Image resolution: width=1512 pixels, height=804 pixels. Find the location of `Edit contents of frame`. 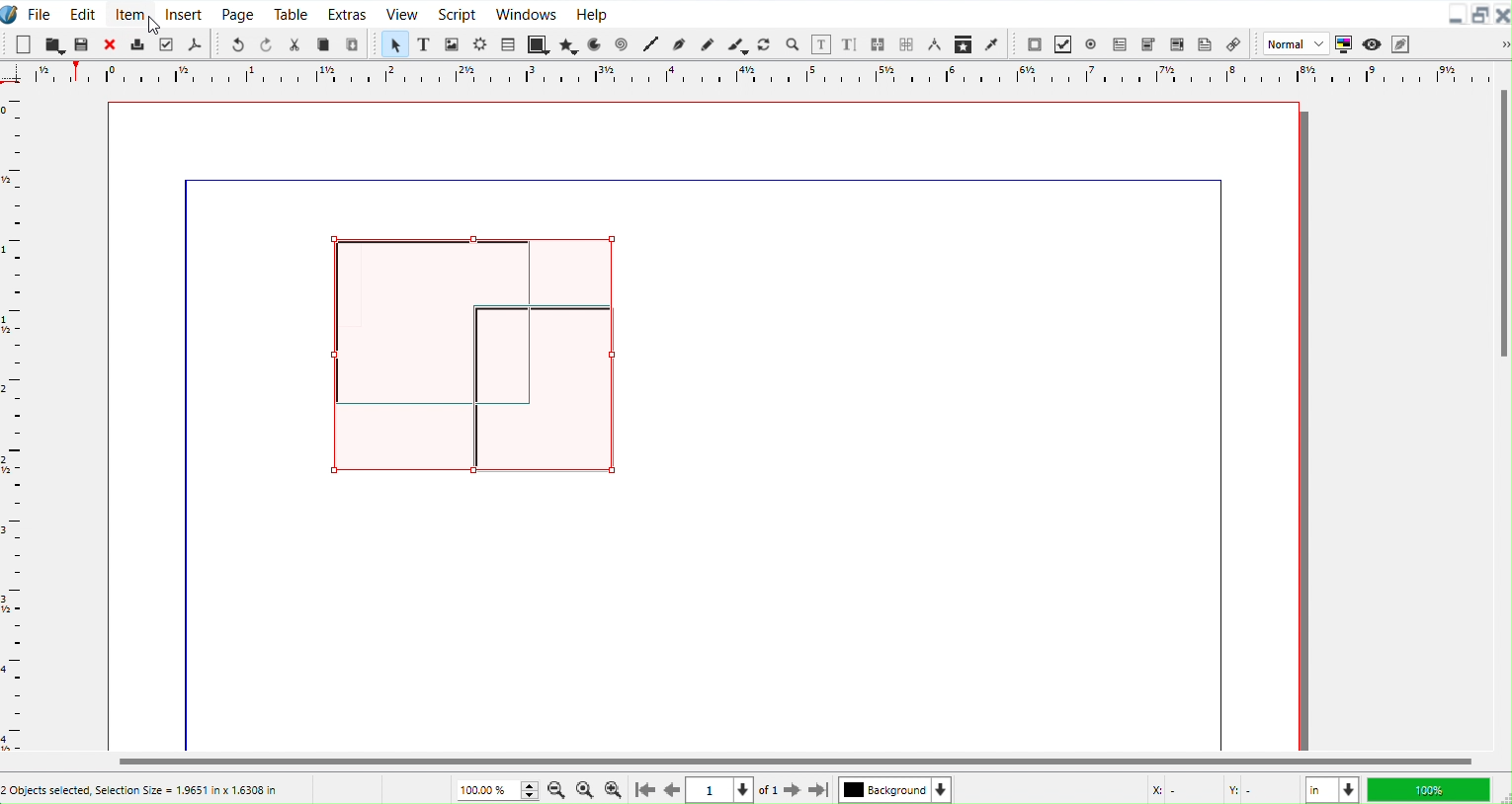

Edit contents of frame is located at coordinates (821, 44).